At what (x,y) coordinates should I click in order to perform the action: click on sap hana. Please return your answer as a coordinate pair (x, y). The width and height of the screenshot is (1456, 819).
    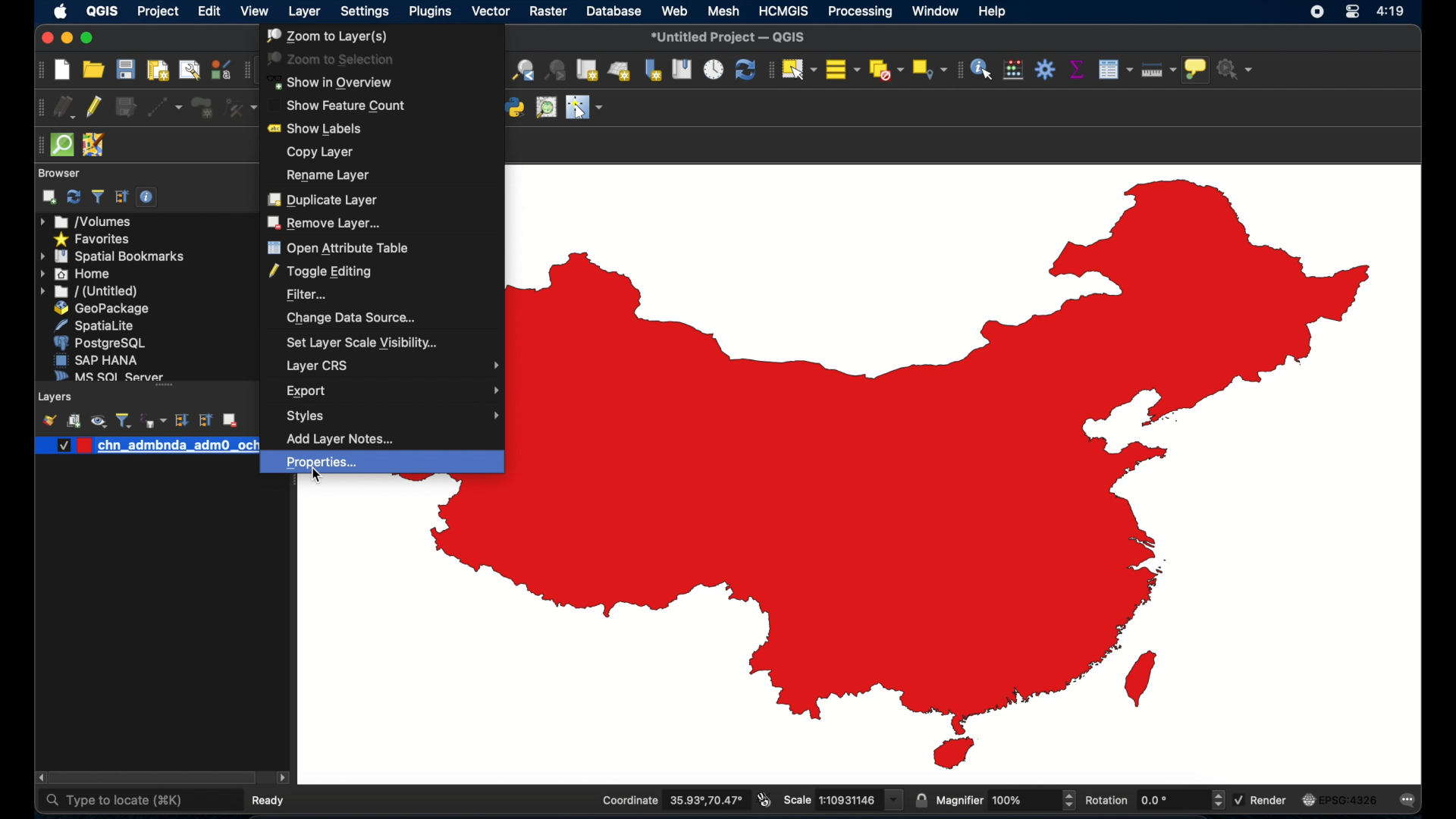
    Looking at the image, I should click on (96, 359).